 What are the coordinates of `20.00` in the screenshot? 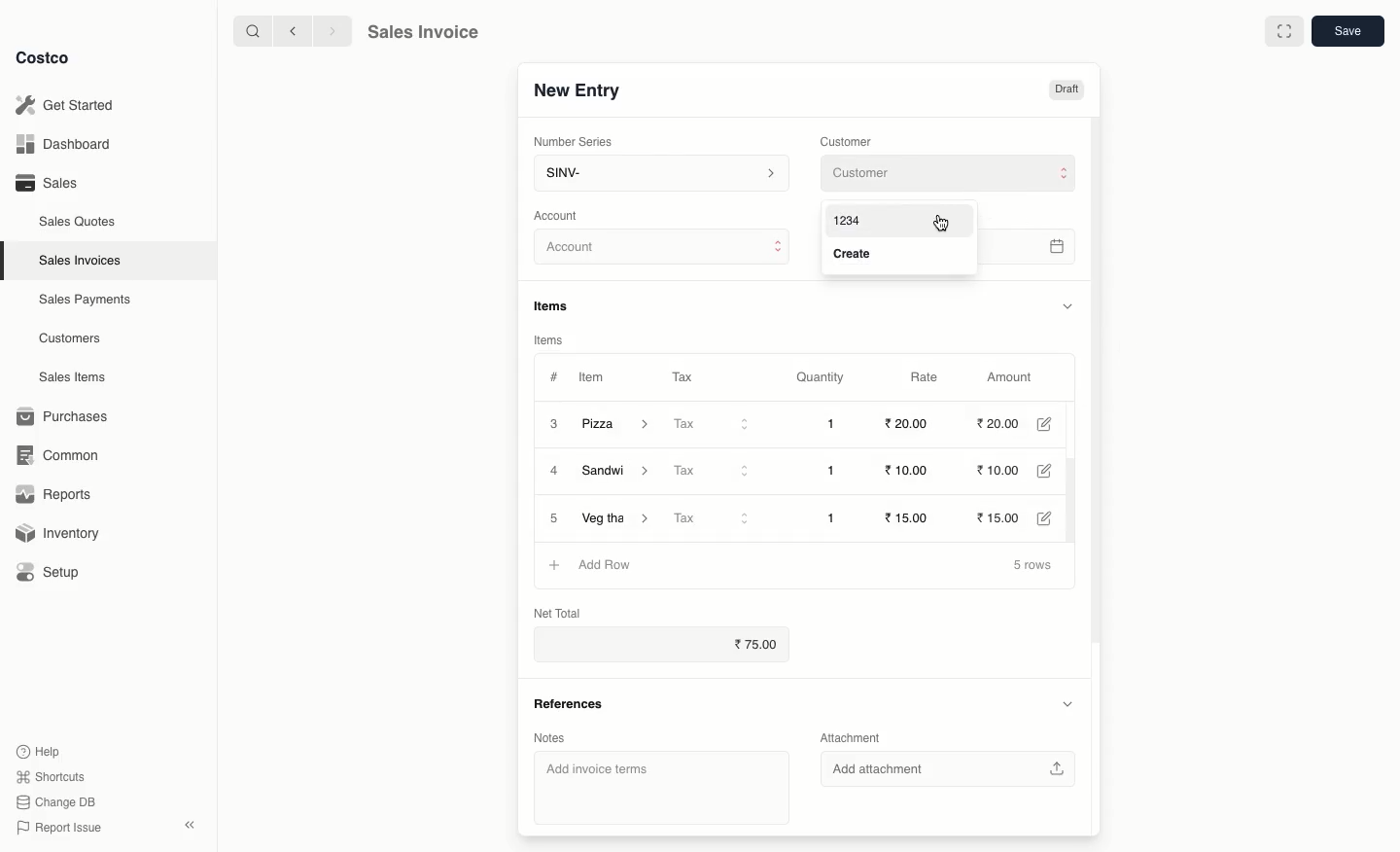 It's located at (905, 424).